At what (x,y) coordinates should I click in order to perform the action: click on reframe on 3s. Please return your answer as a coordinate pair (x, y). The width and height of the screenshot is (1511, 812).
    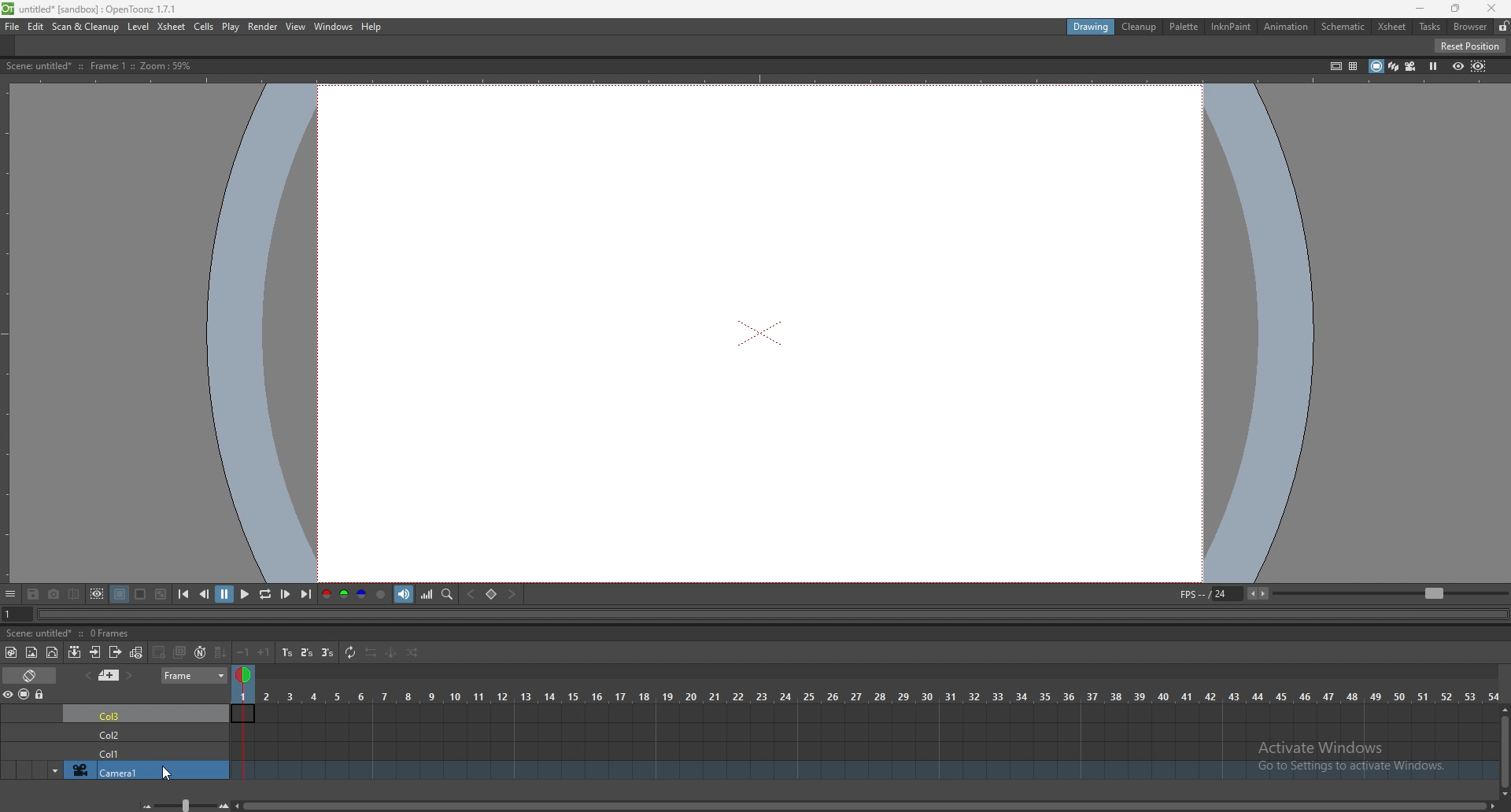
    Looking at the image, I should click on (328, 653).